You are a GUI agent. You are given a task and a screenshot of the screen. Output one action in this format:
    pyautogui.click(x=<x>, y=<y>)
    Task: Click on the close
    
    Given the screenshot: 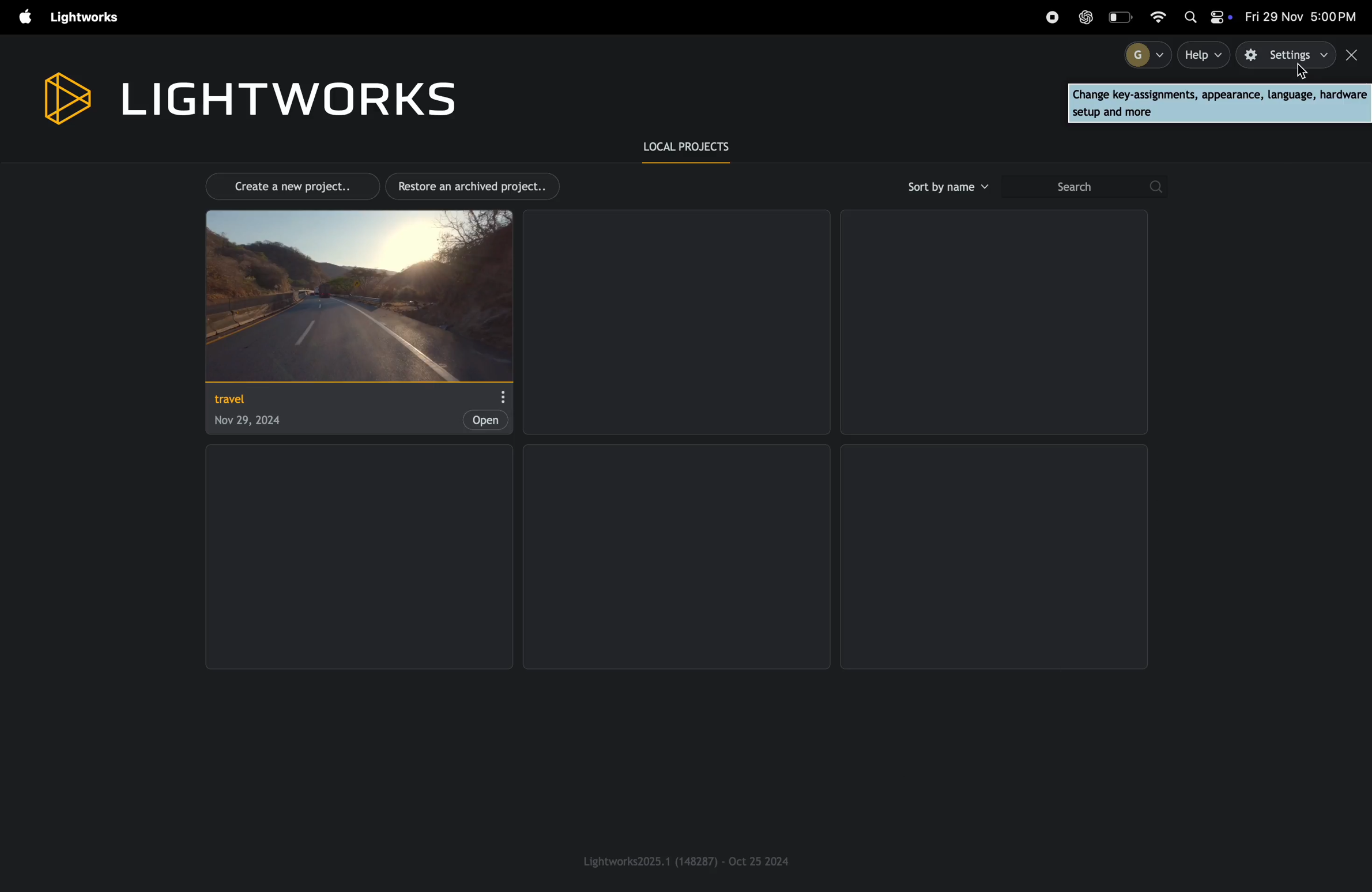 What is the action you would take?
    pyautogui.click(x=1354, y=55)
    